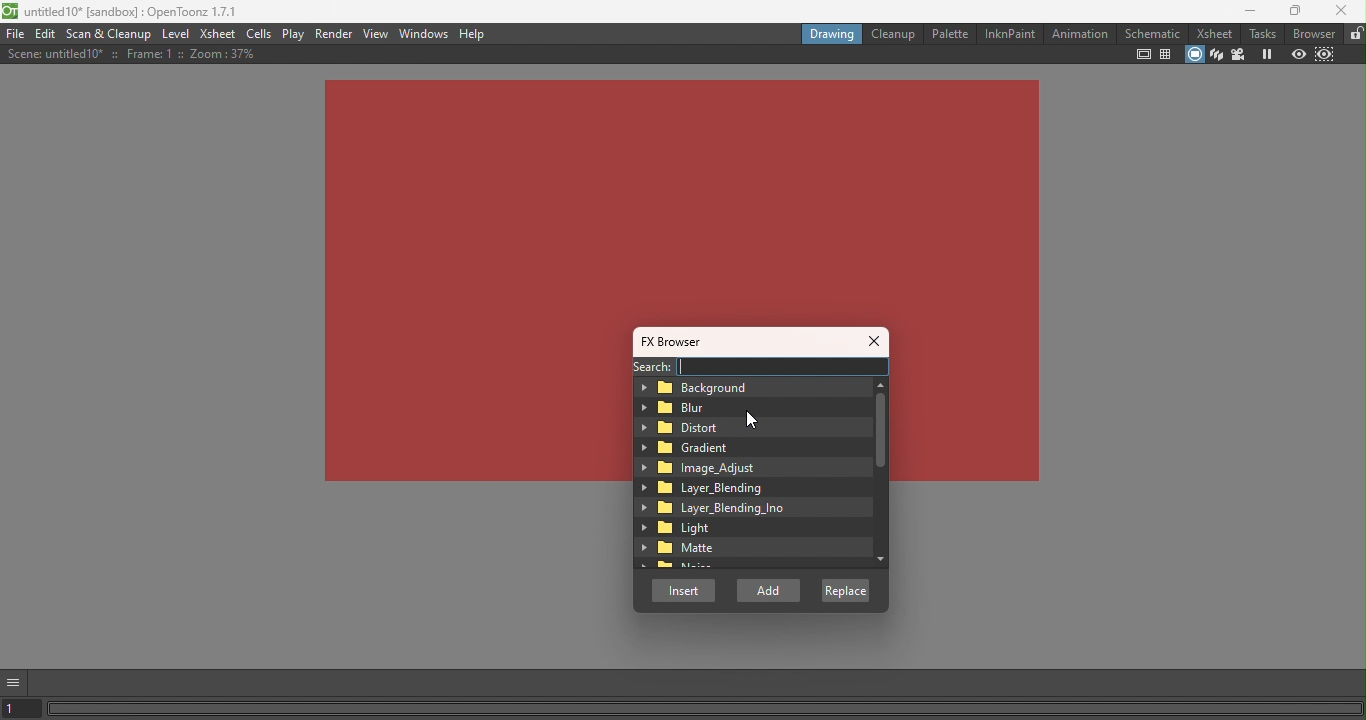  I want to click on Edit, so click(47, 35).